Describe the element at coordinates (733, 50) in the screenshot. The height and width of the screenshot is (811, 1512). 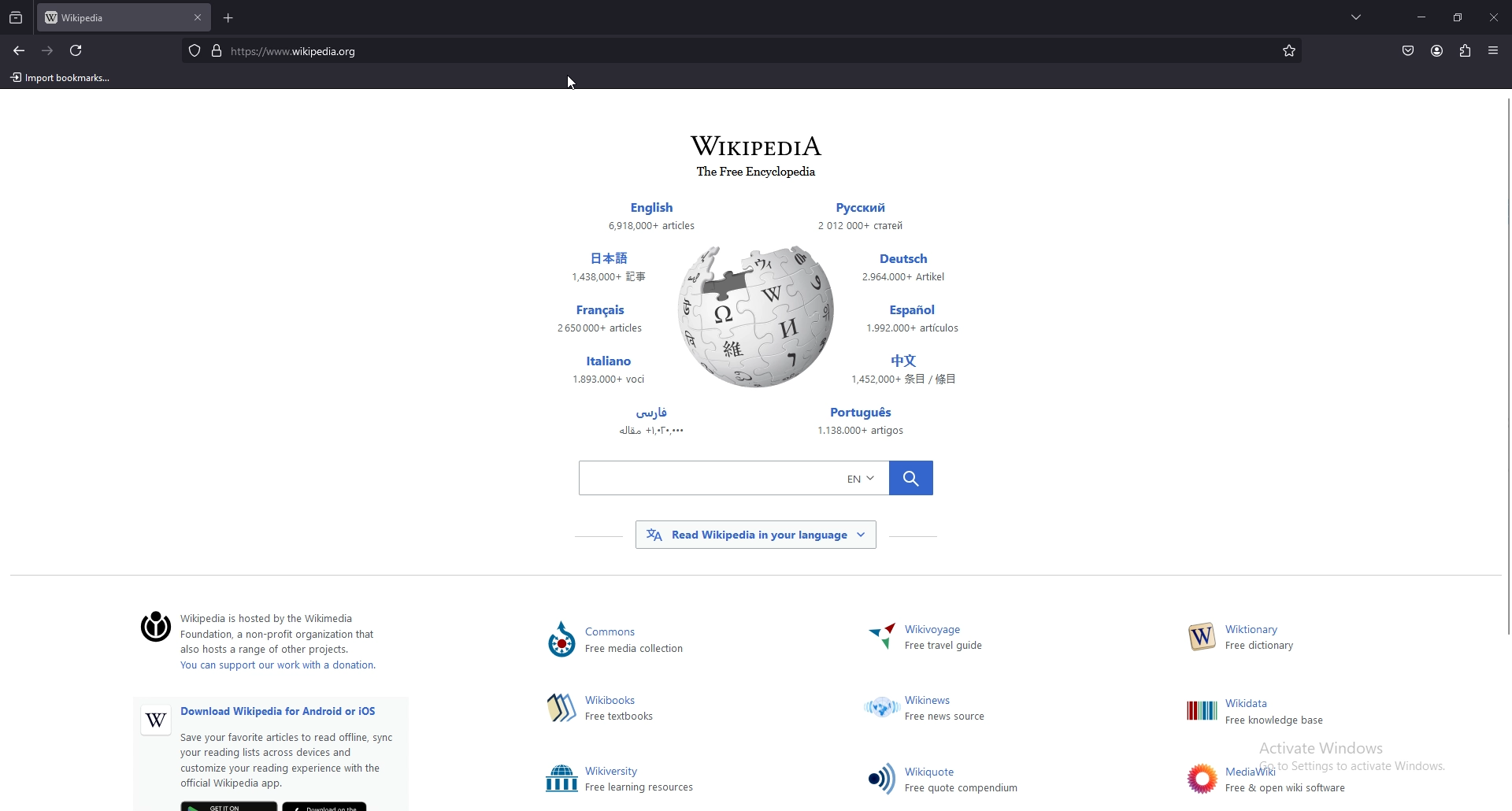
I see `search bar` at that location.